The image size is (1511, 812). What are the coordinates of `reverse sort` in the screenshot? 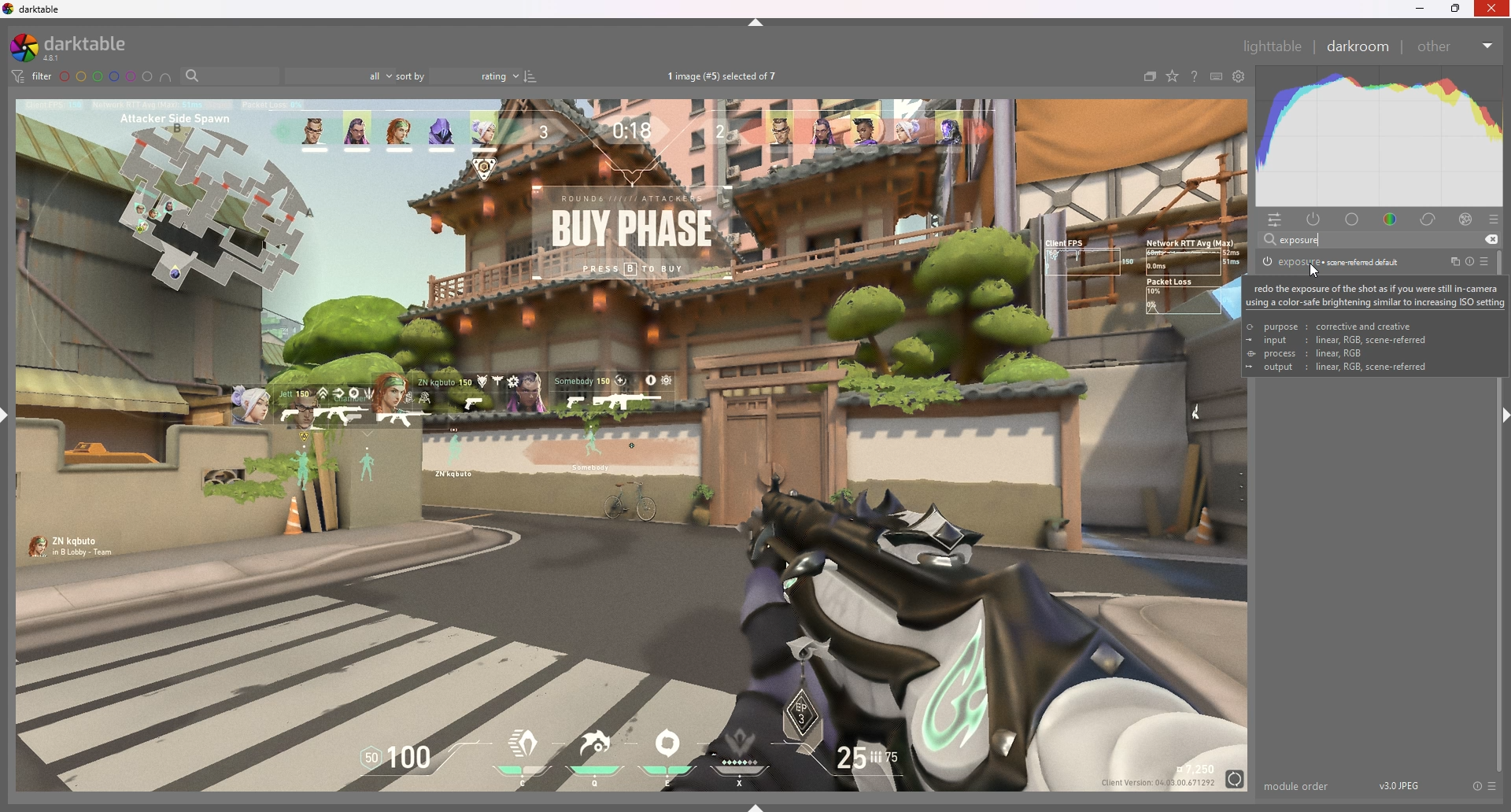 It's located at (531, 76).